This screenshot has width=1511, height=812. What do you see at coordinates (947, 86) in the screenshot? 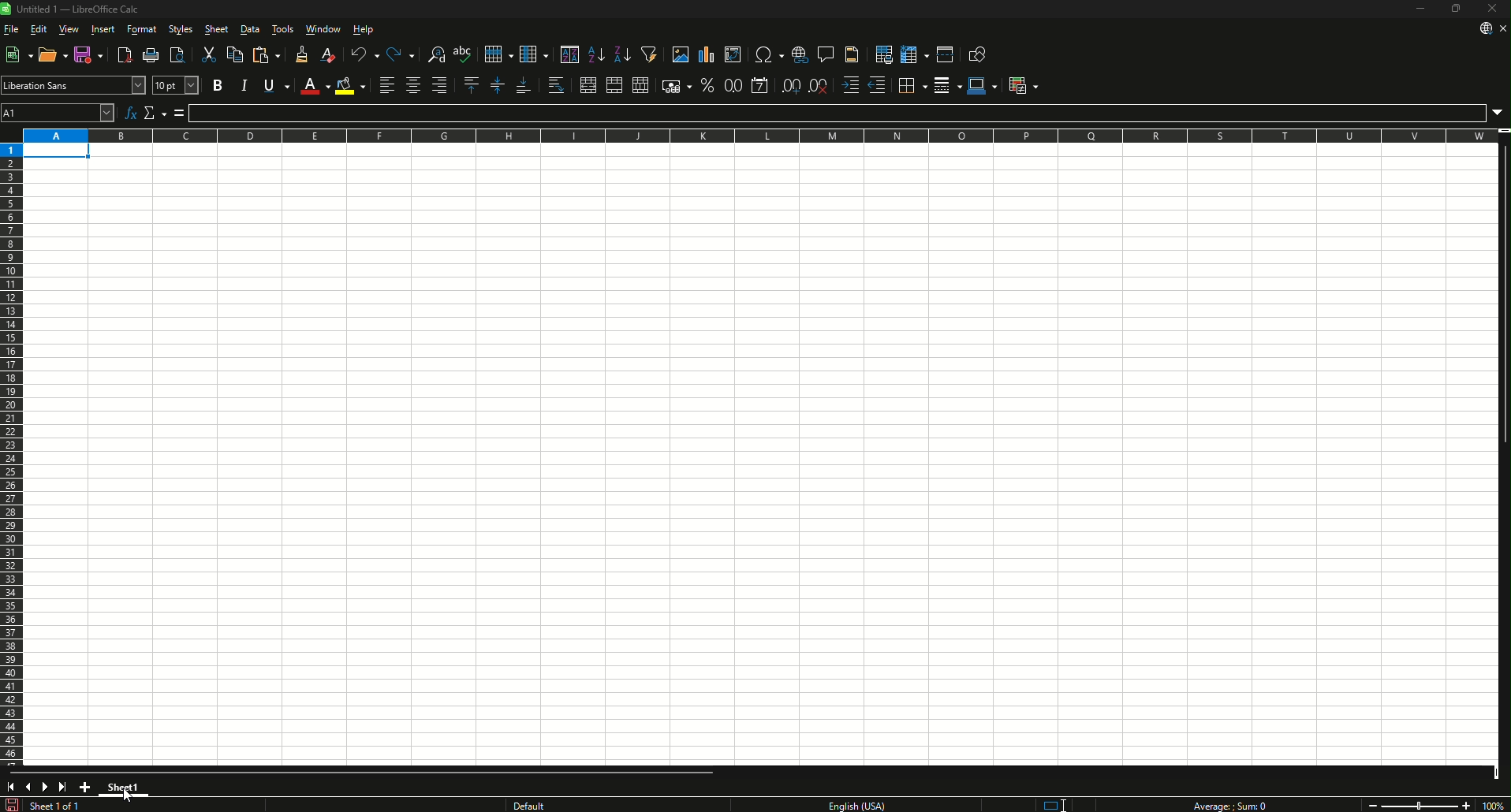
I see `Border Style` at bounding box center [947, 86].